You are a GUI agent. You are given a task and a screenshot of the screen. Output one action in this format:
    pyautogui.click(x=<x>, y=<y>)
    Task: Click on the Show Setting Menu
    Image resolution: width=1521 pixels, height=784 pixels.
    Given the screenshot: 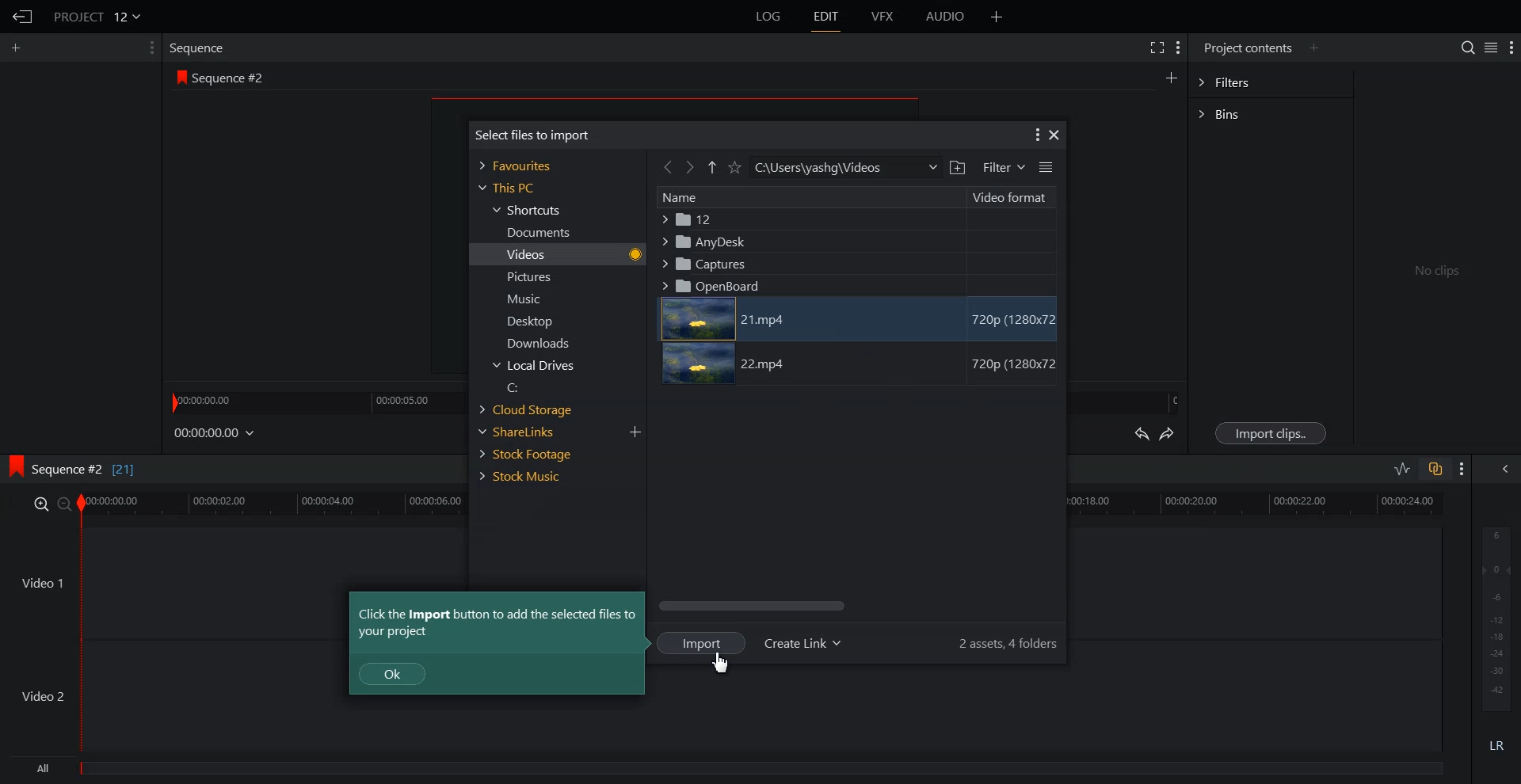 What is the action you would take?
    pyautogui.click(x=1035, y=135)
    